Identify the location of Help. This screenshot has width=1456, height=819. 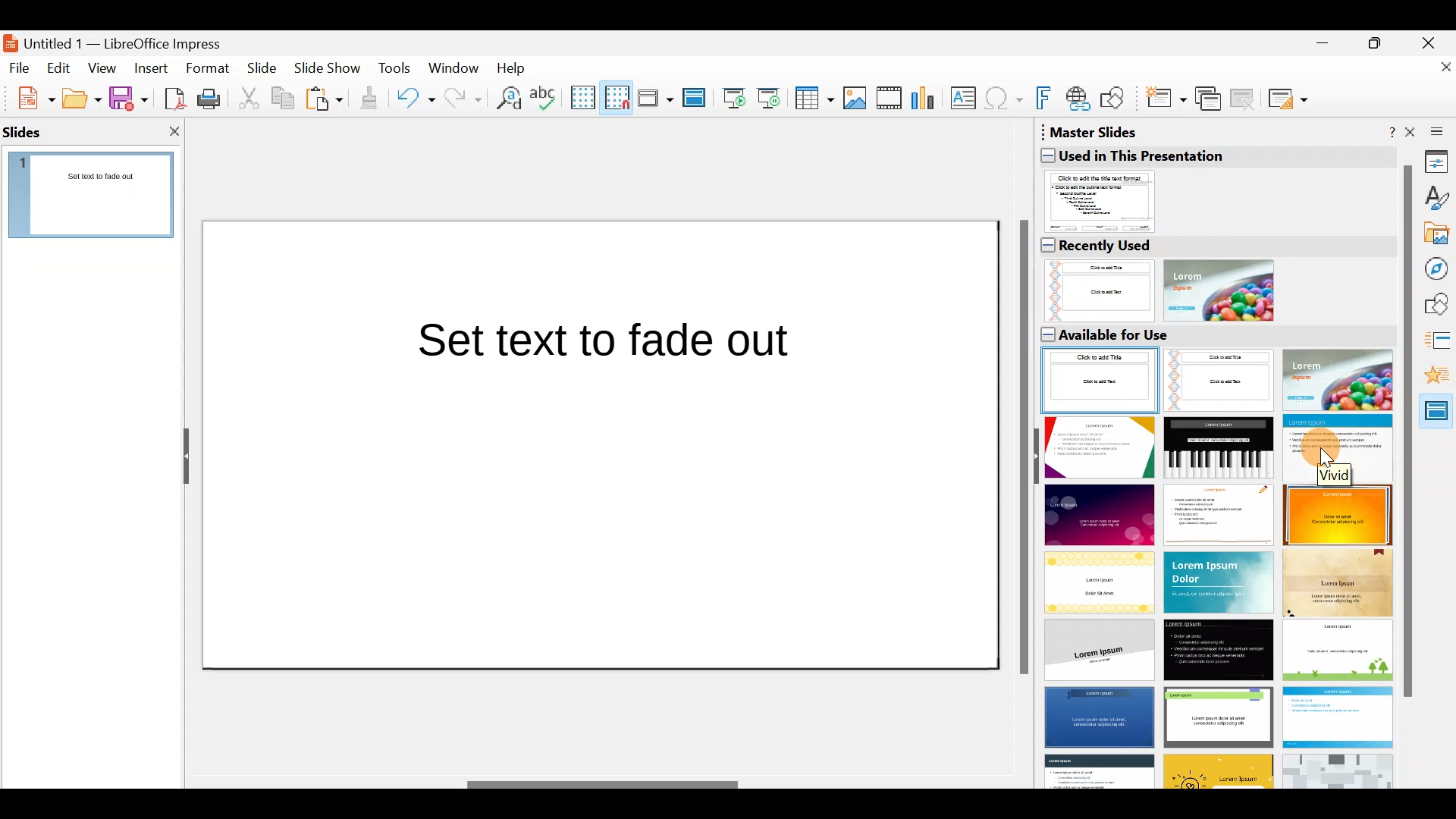
(514, 67).